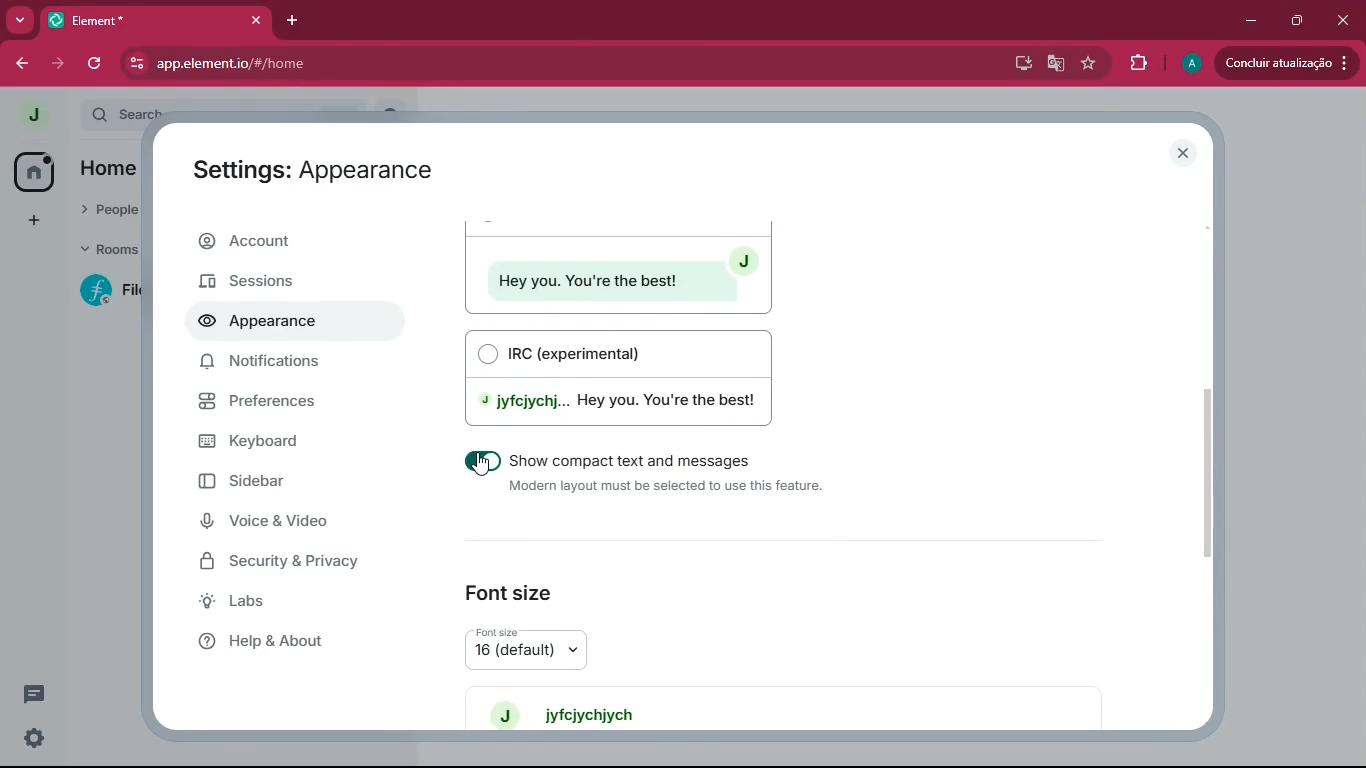  What do you see at coordinates (1247, 22) in the screenshot?
I see `minimize` at bounding box center [1247, 22].